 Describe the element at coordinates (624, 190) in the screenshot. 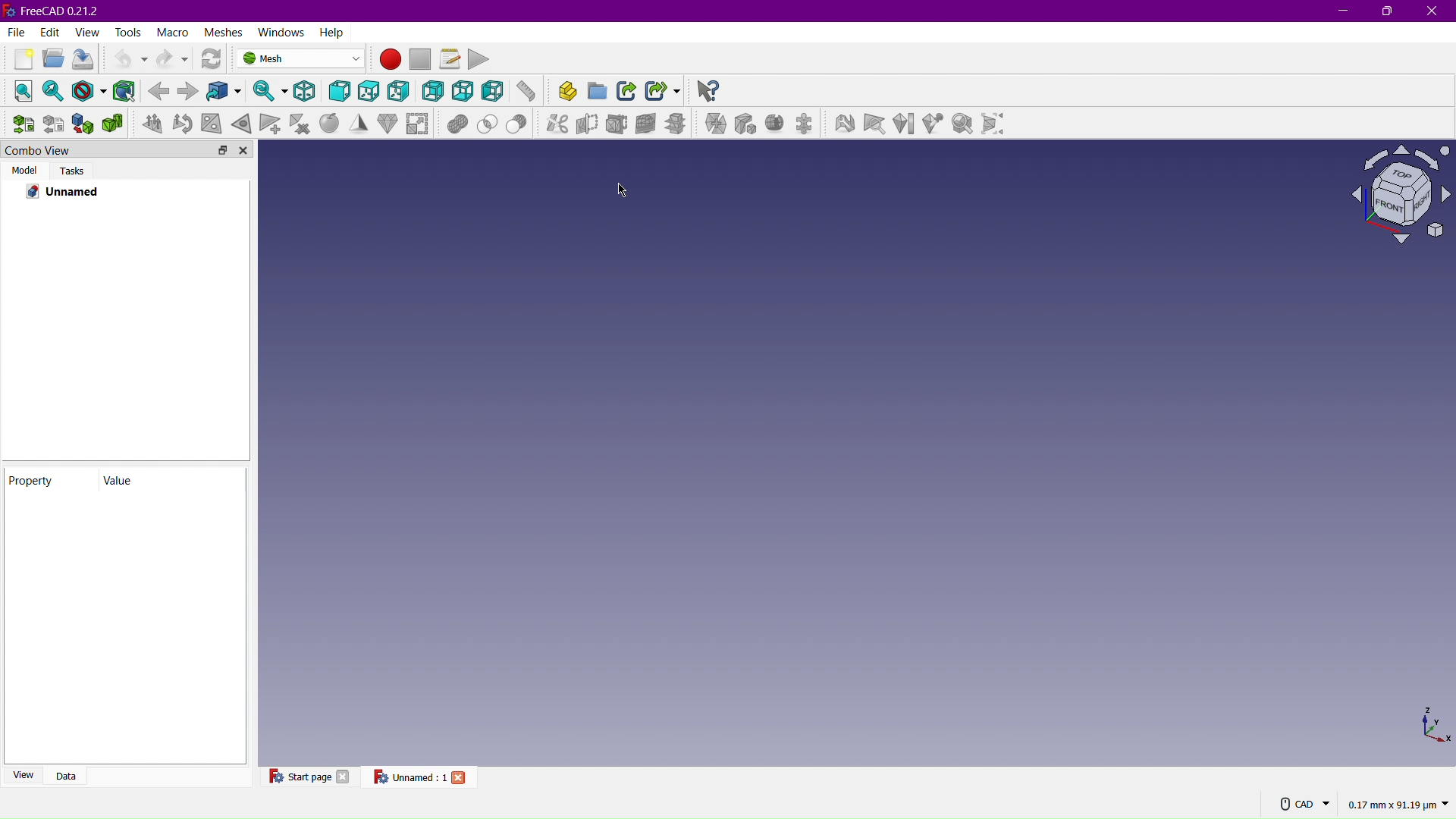

I see `Cursor` at that location.